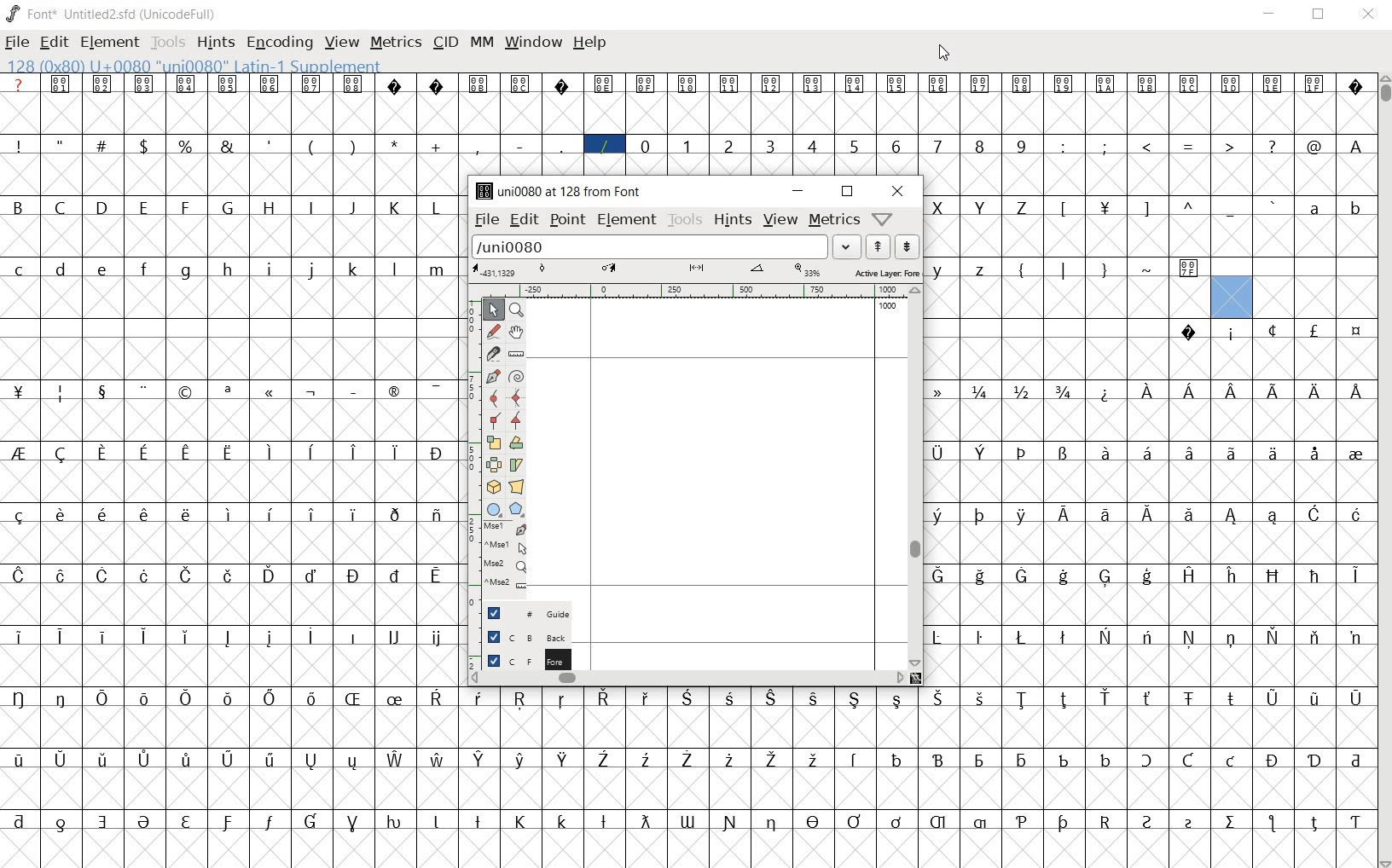 This screenshot has height=868, width=1392. Describe the element at coordinates (61, 759) in the screenshot. I see `glyph` at that location.